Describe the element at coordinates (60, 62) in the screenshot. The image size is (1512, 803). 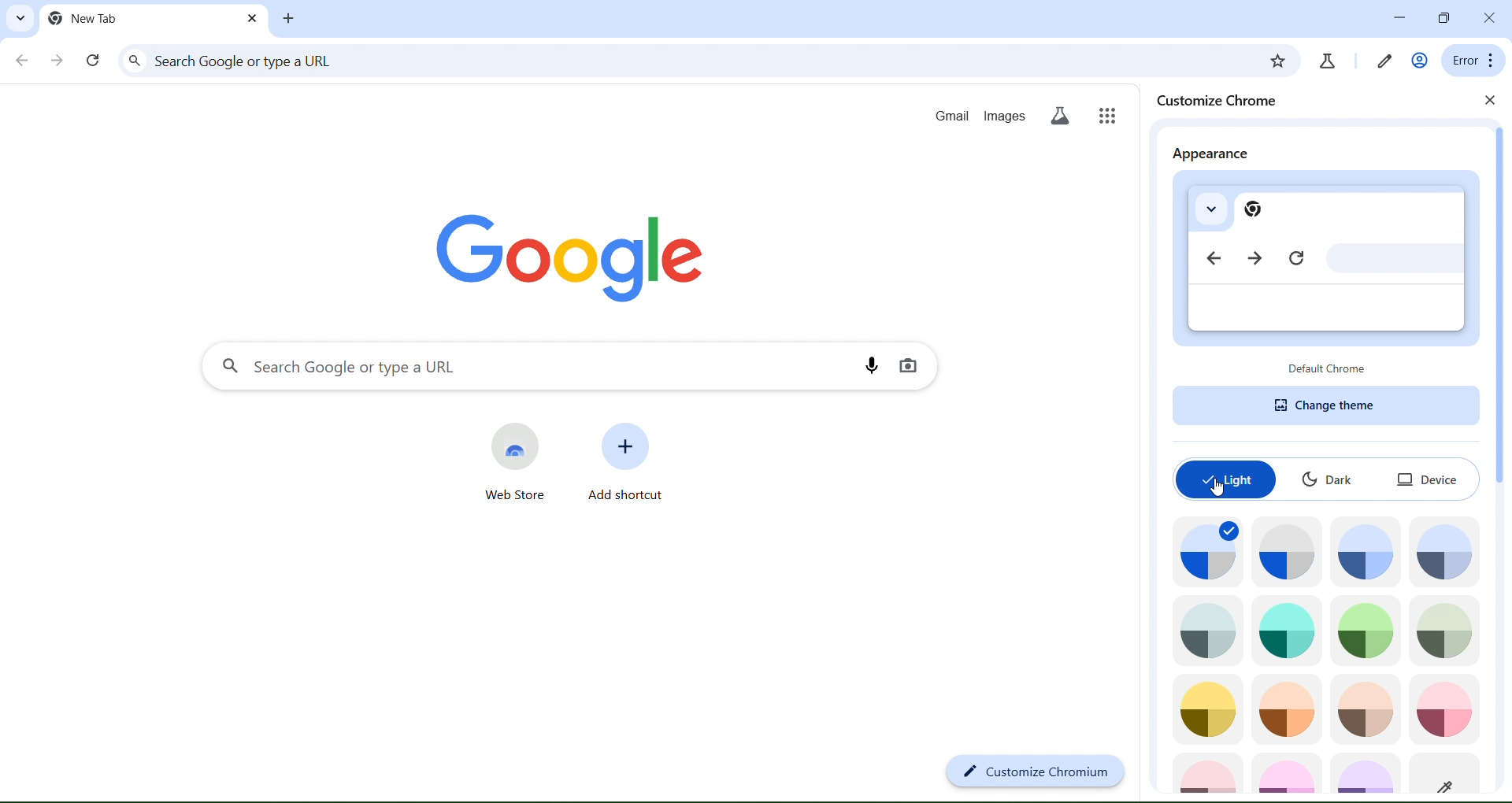
I see `go forward one page` at that location.